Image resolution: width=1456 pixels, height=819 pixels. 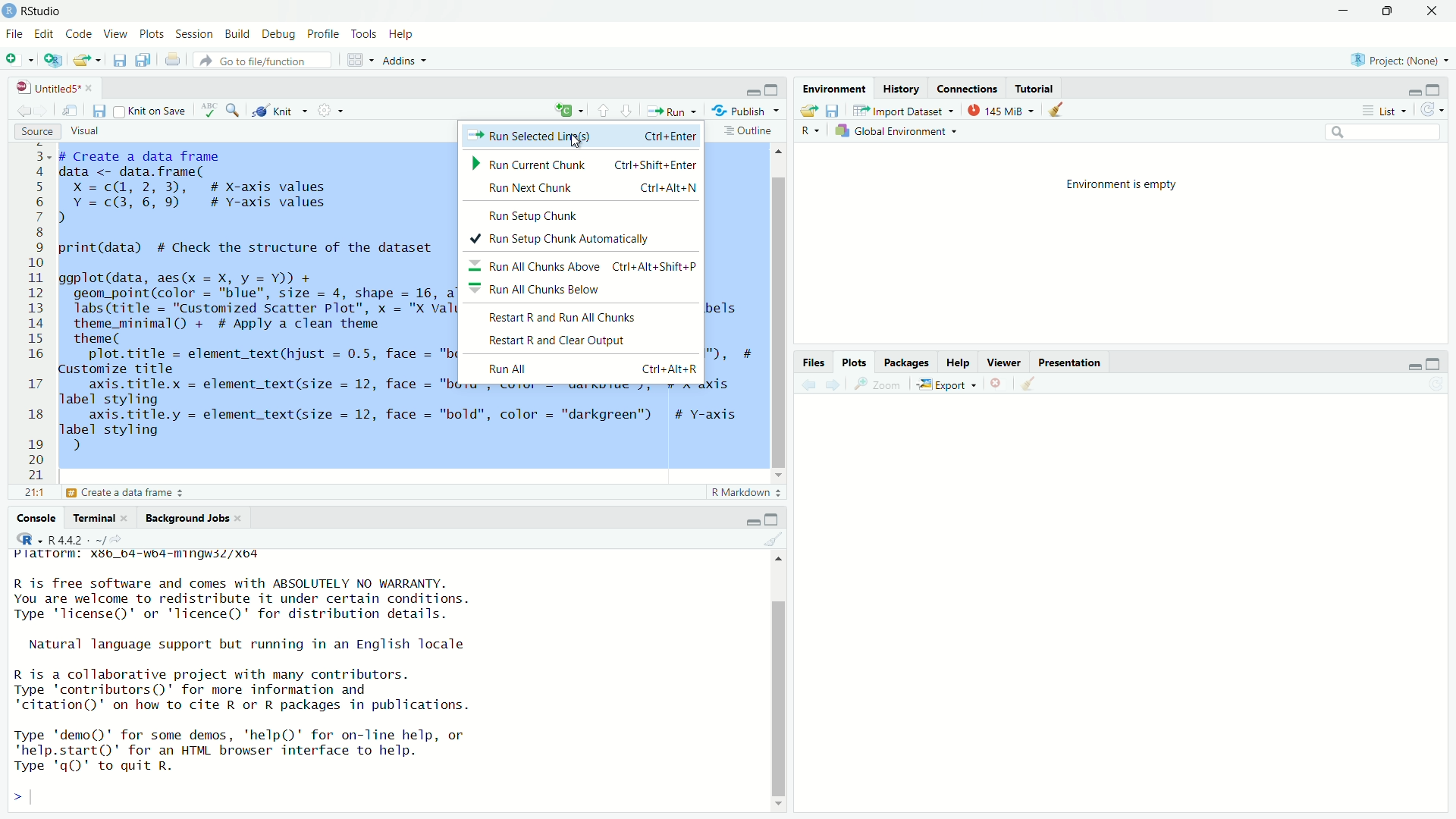 What do you see at coordinates (196, 36) in the screenshot?
I see `Session` at bounding box center [196, 36].